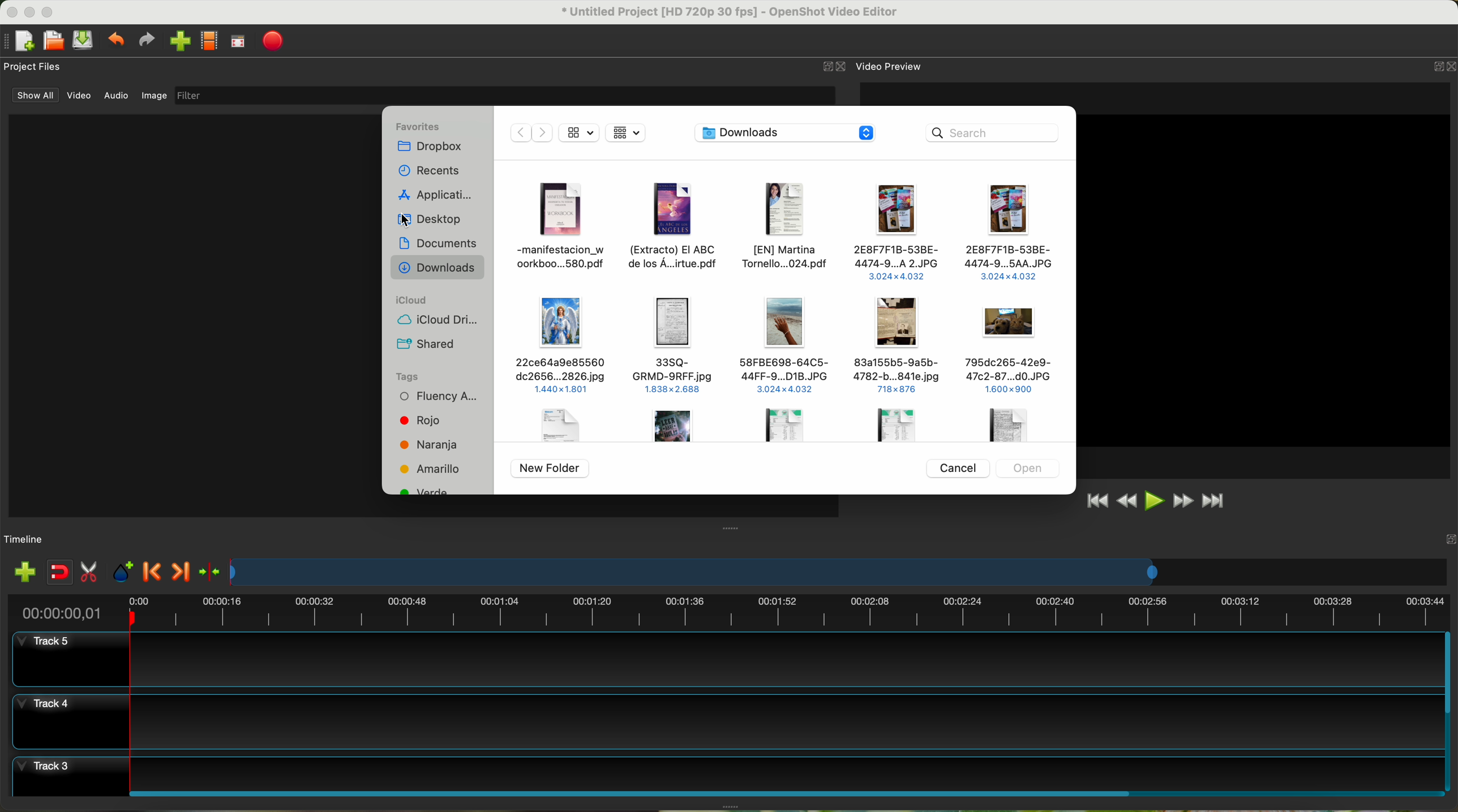 The image size is (1458, 812). What do you see at coordinates (435, 398) in the screenshot?
I see `fluency tag` at bounding box center [435, 398].